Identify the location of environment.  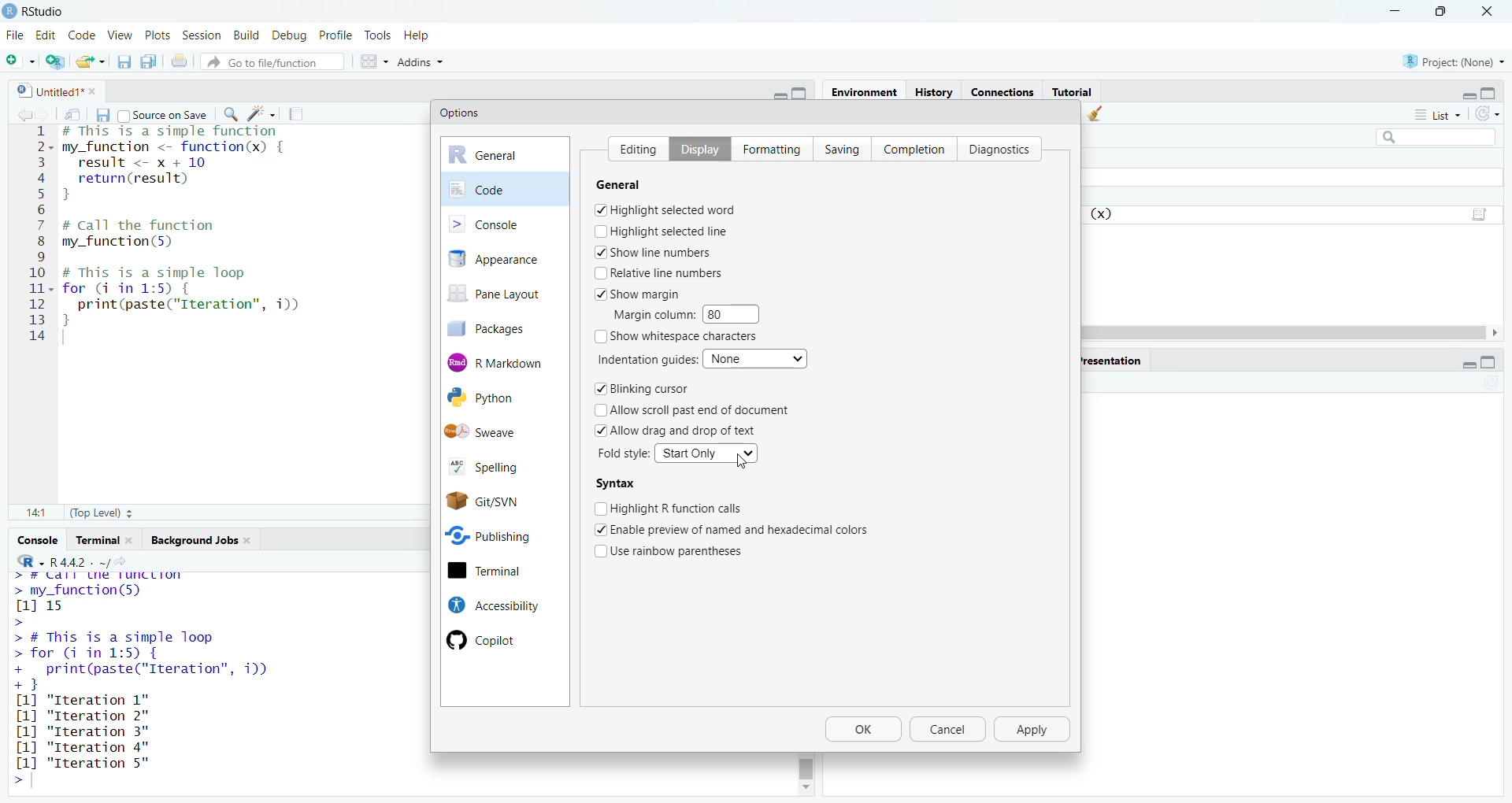
(866, 92).